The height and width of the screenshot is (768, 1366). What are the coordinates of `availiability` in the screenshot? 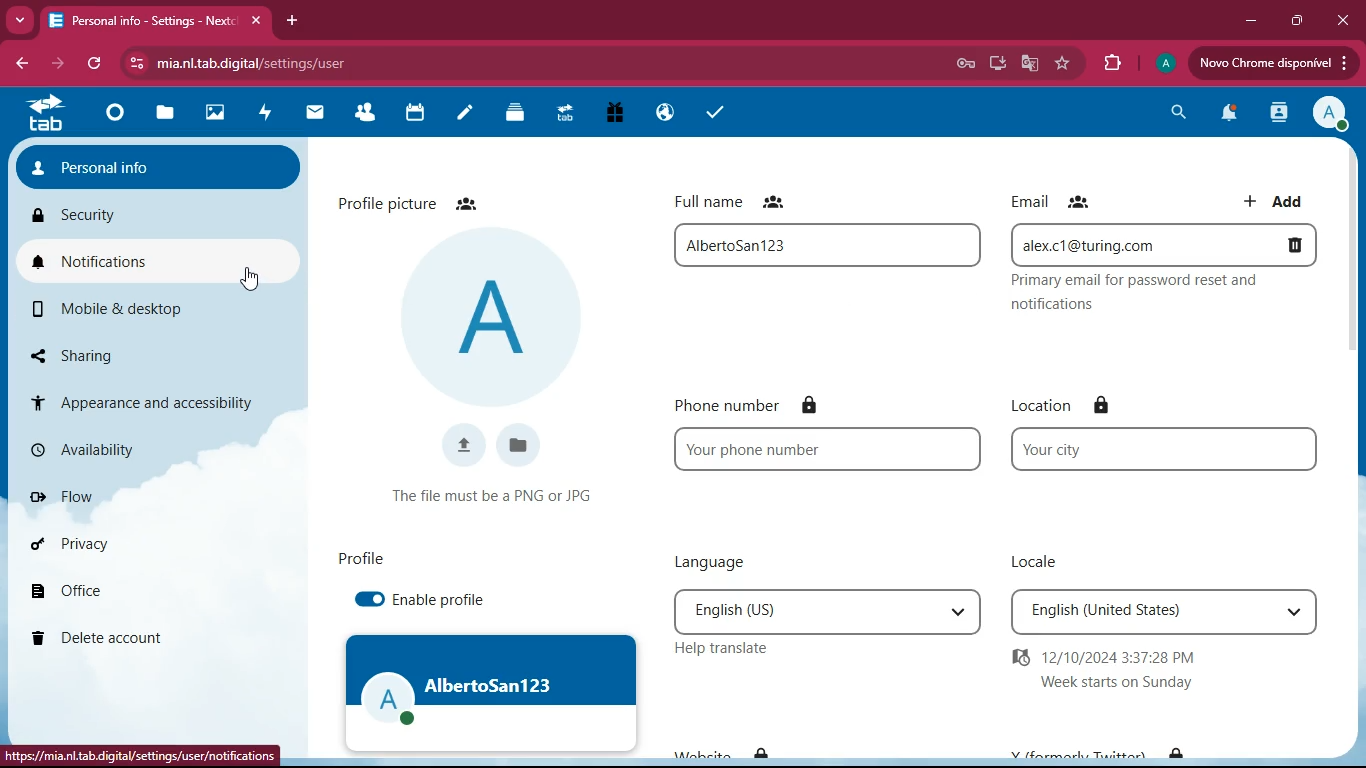 It's located at (142, 451).